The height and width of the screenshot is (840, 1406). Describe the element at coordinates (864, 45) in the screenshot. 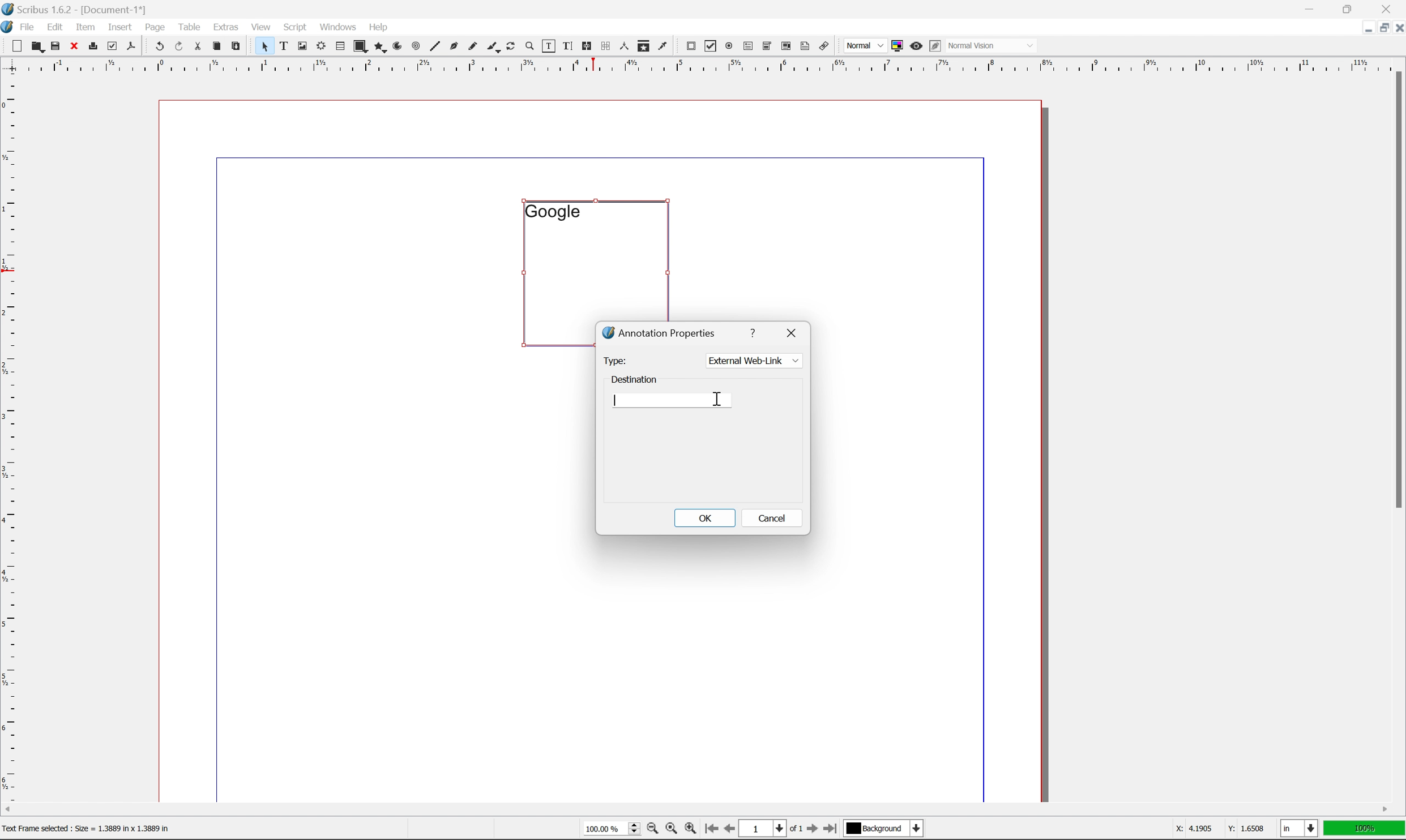

I see `normal` at that location.